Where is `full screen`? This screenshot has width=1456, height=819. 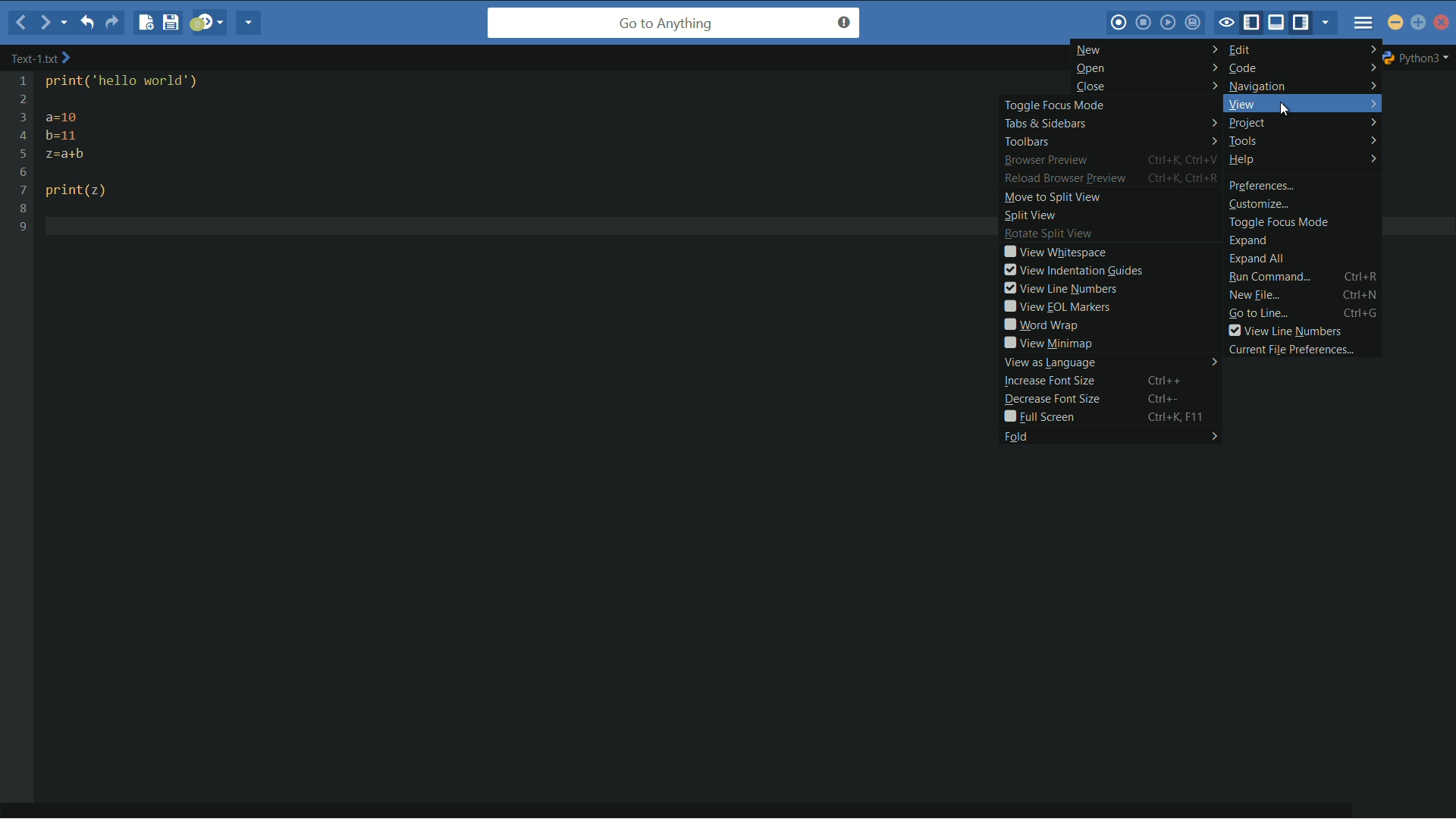
full screen is located at coordinates (1039, 418).